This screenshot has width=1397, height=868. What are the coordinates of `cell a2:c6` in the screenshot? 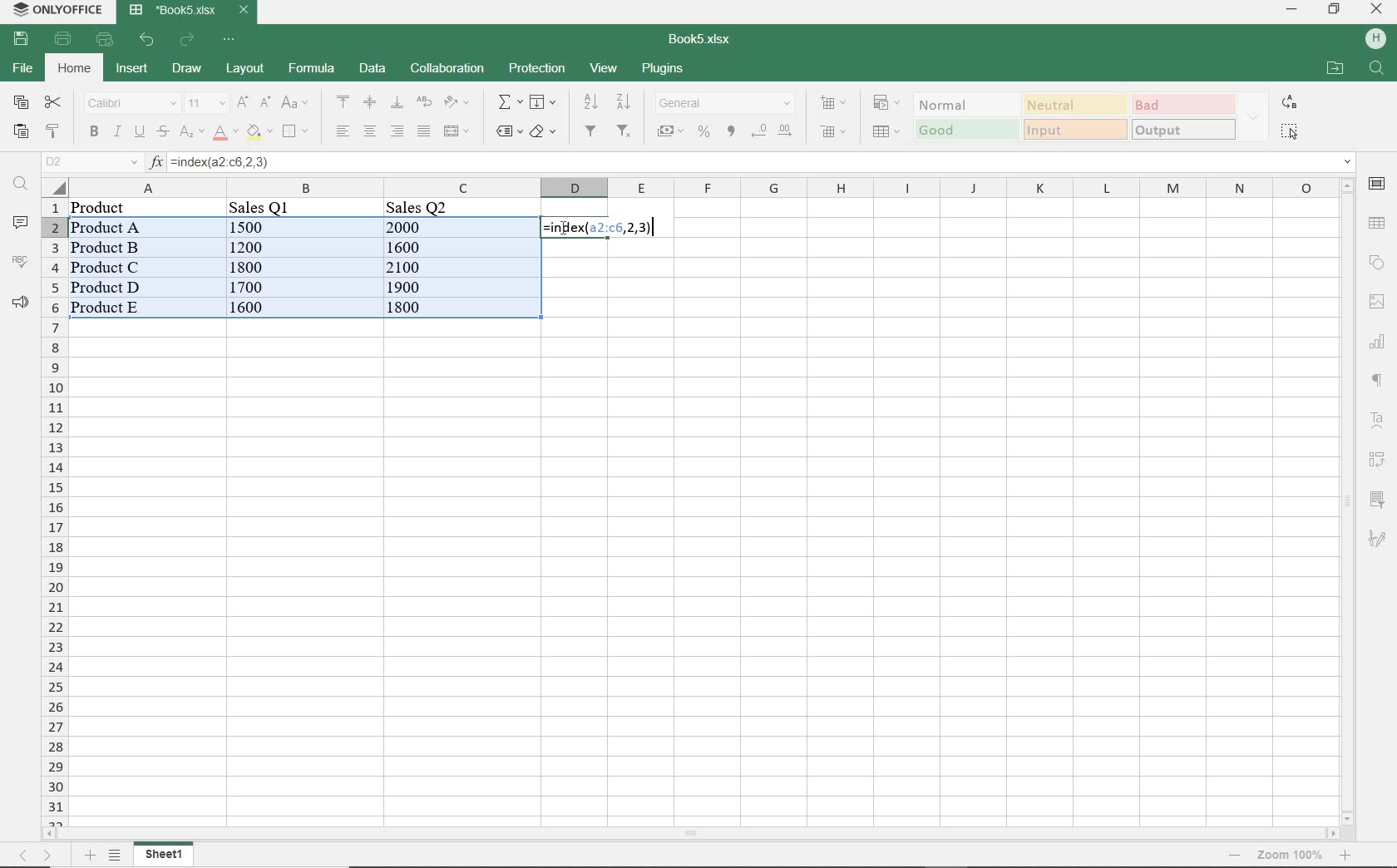 It's located at (304, 259).